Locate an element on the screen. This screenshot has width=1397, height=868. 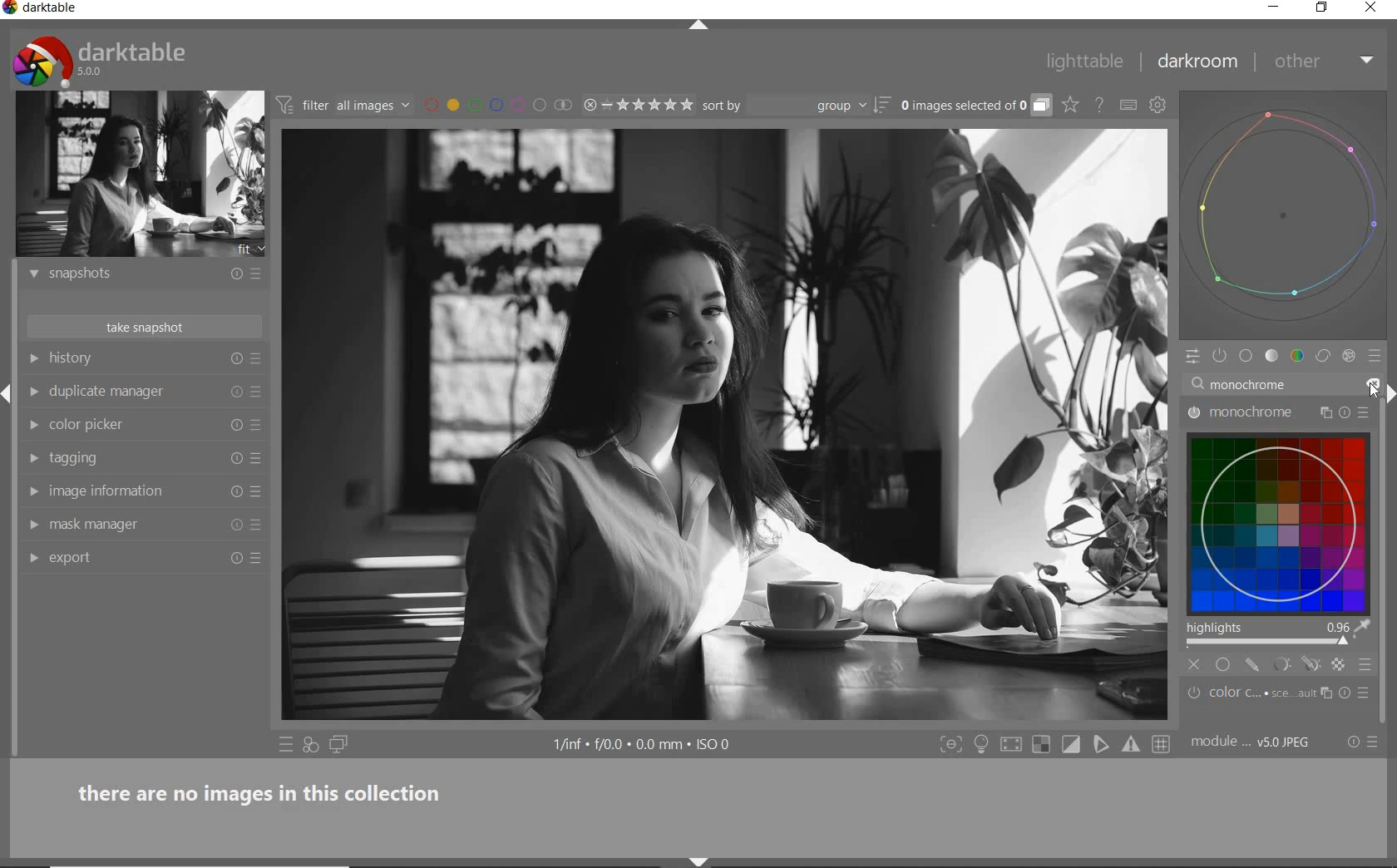
reset is located at coordinates (234, 560).